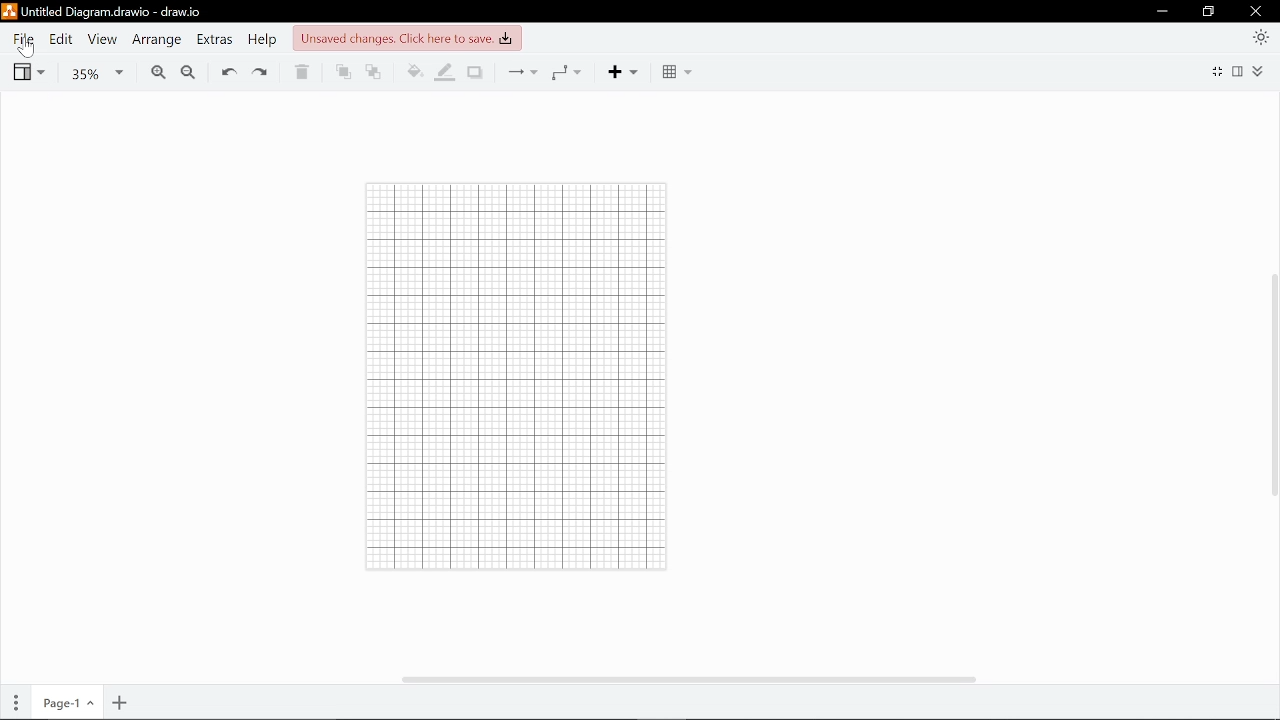 This screenshot has width=1280, height=720. What do you see at coordinates (1262, 73) in the screenshot?
I see `Expand/collapse` at bounding box center [1262, 73].